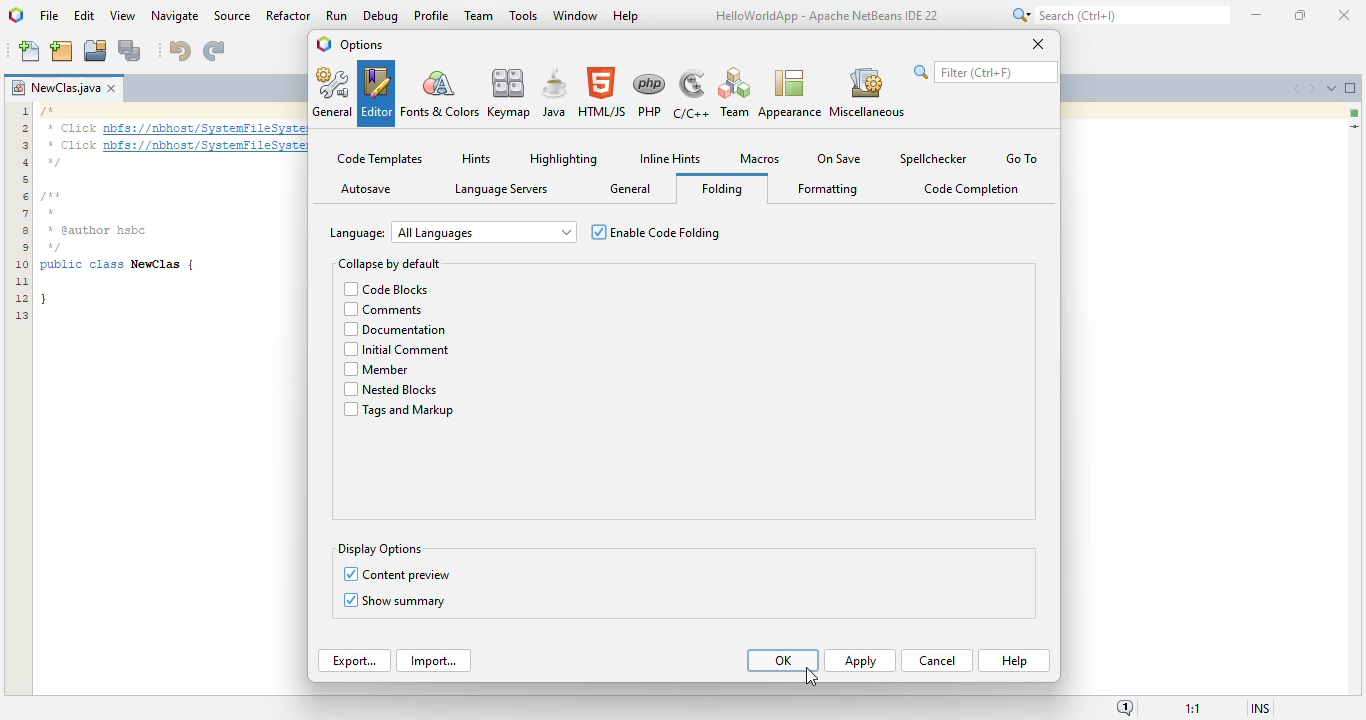 The image size is (1366, 720). Describe the element at coordinates (336, 15) in the screenshot. I see `run` at that location.